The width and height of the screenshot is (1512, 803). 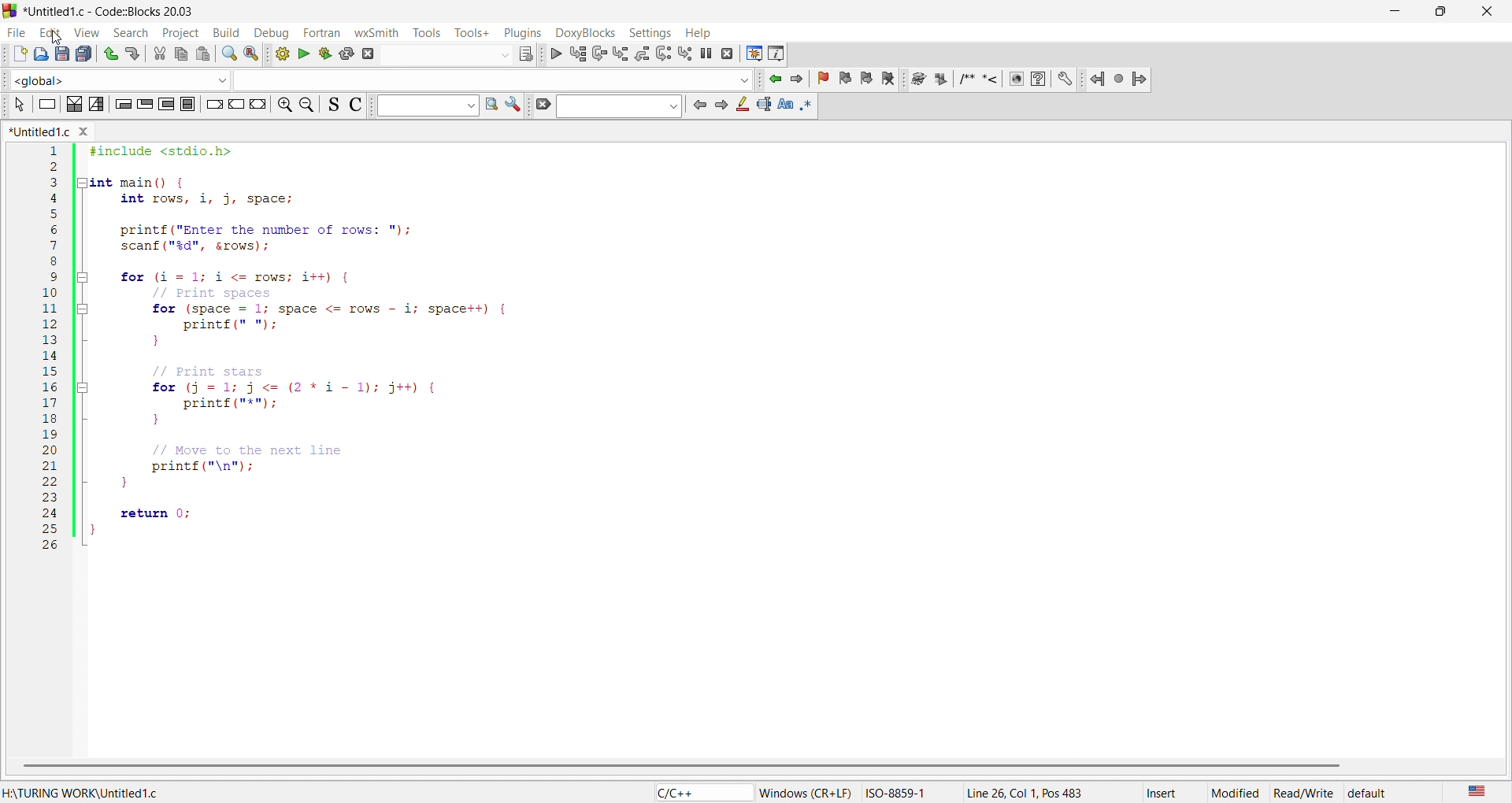 What do you see at coordinates (135, 30) in the screenshot?
I see `search` at bounding box center [135, 30].